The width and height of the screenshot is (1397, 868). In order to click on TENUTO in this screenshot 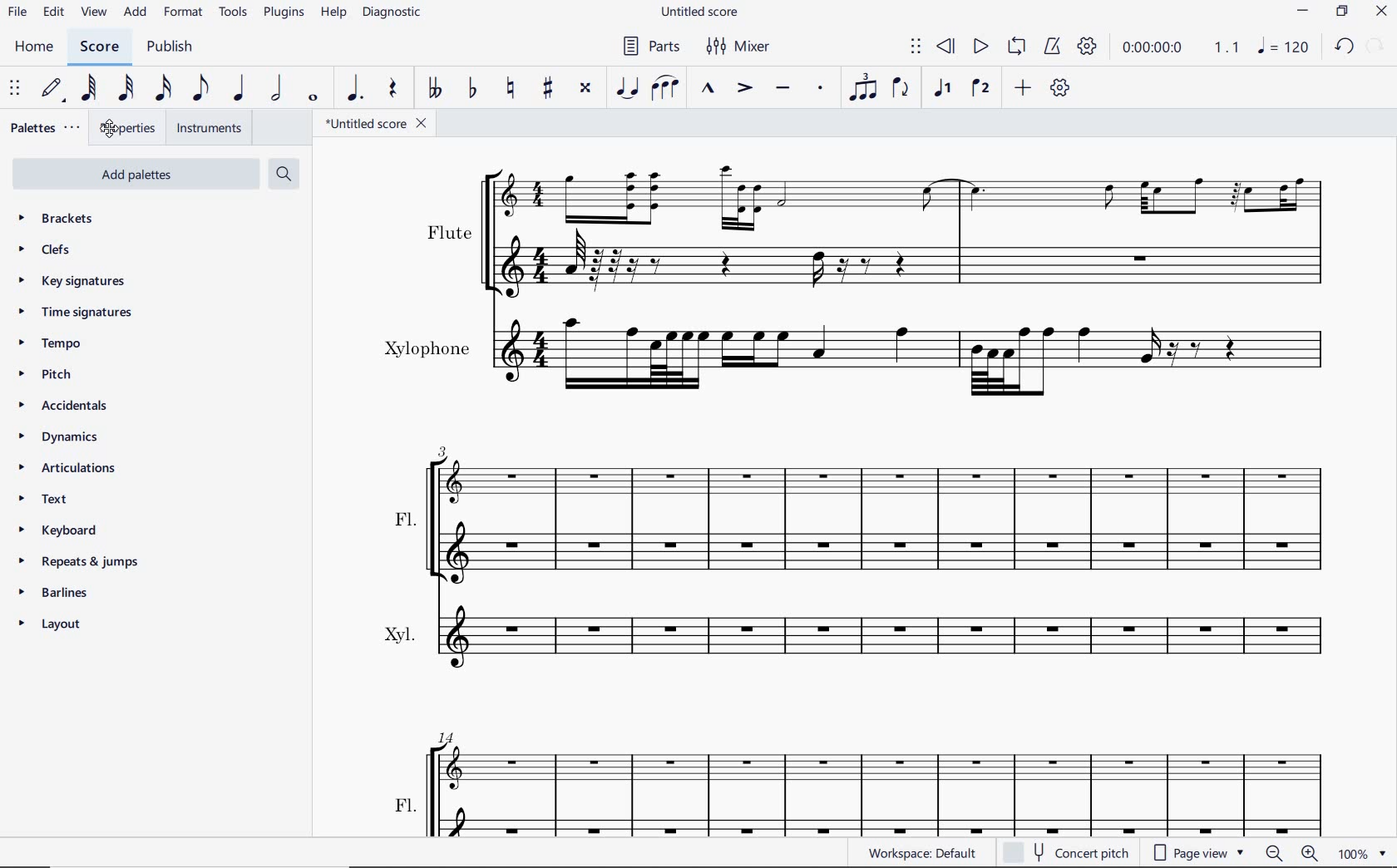, I will do `click(782, 88)`.